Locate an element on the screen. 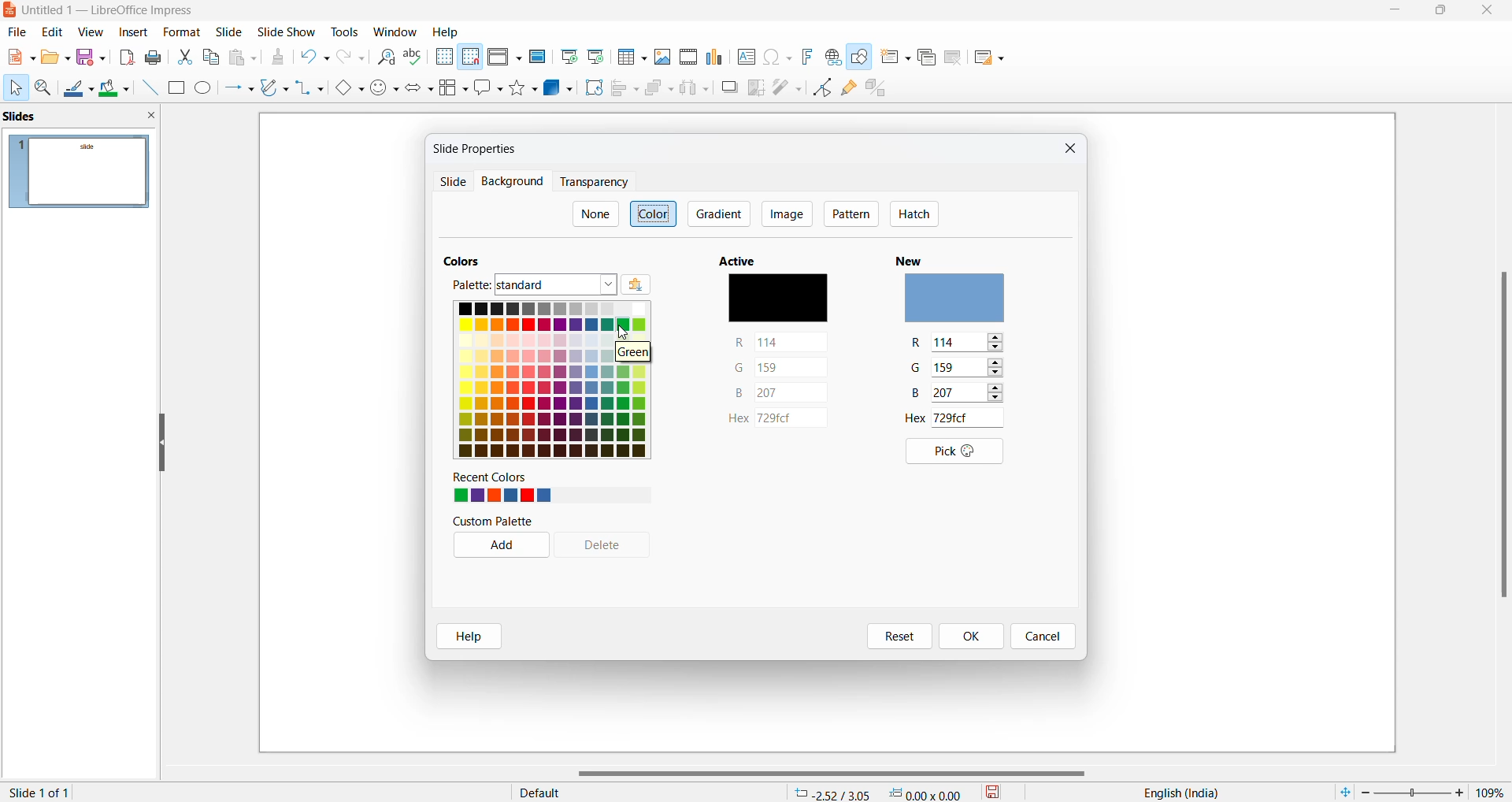 The image size is (1512, 802). toggle end point edit mode is located at coordinates (823, 87).